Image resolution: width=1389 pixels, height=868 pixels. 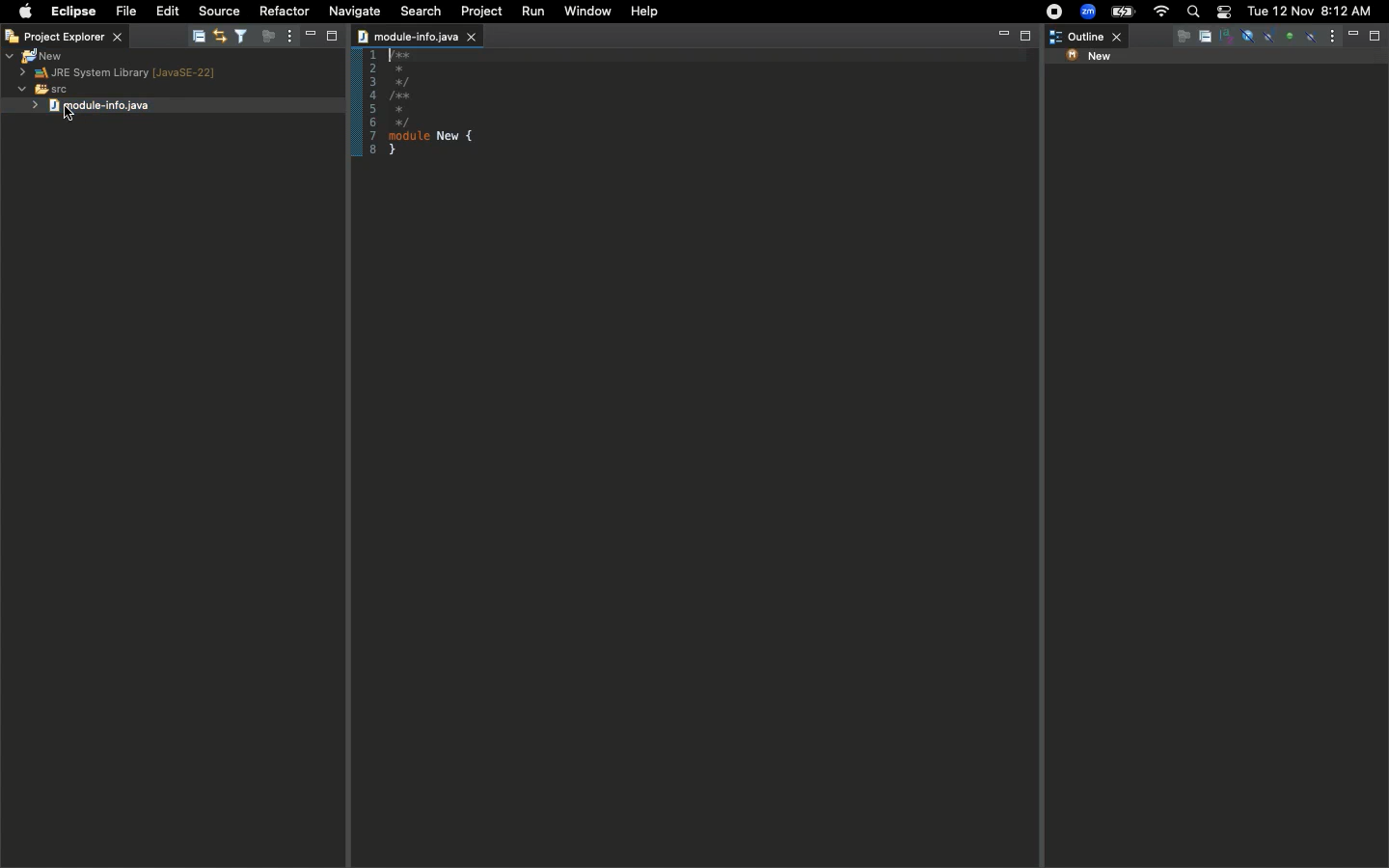 I want to click on Apple logo, so click(x=24, y=13).